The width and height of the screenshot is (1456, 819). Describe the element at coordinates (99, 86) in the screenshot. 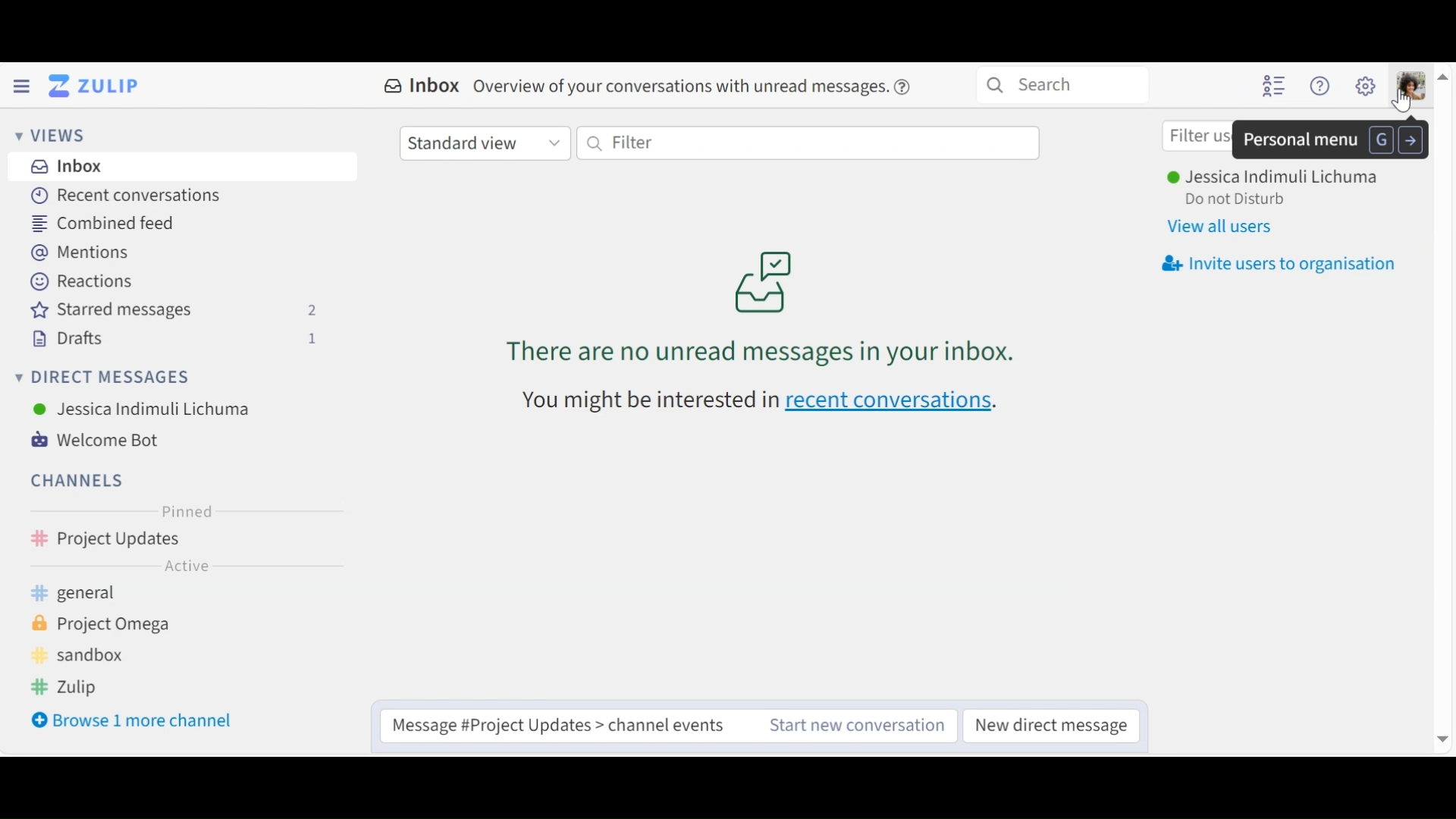

I see `Go to Home View (Inbox)` at that location.